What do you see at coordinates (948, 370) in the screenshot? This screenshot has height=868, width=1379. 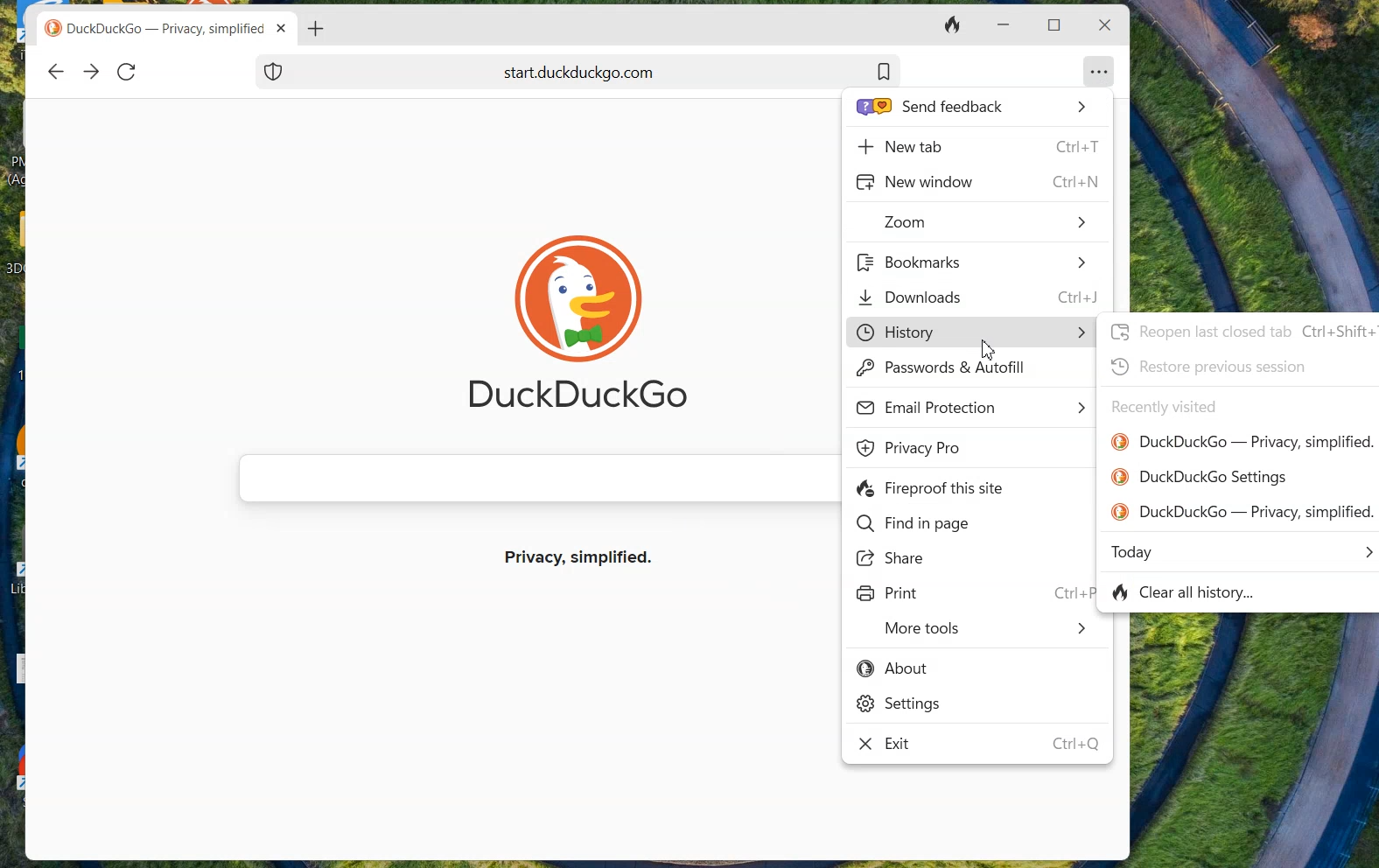 I see `Passwords and Autofill` at bounding box center [948, 370].